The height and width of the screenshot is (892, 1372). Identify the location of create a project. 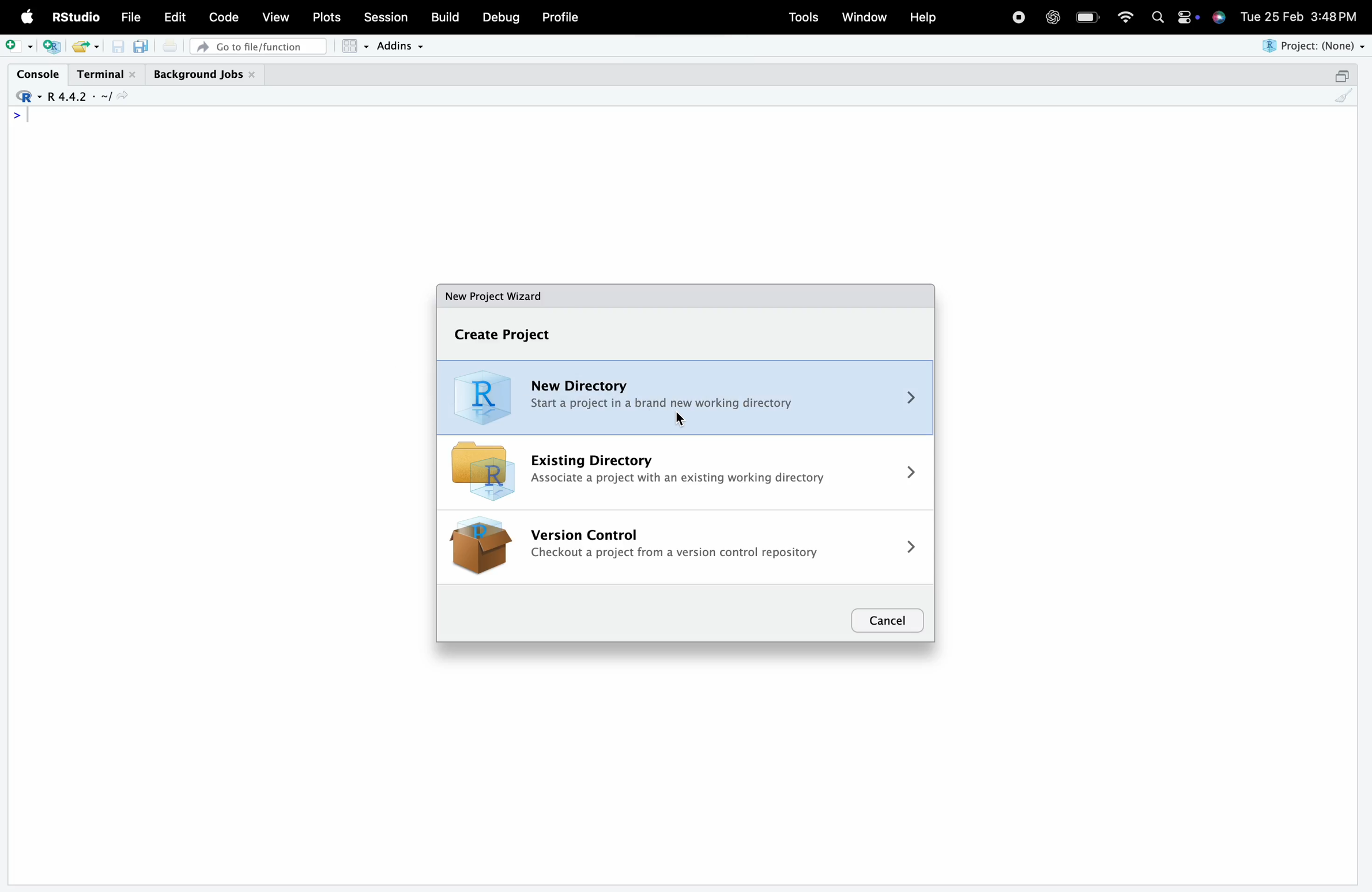
(52, 47).